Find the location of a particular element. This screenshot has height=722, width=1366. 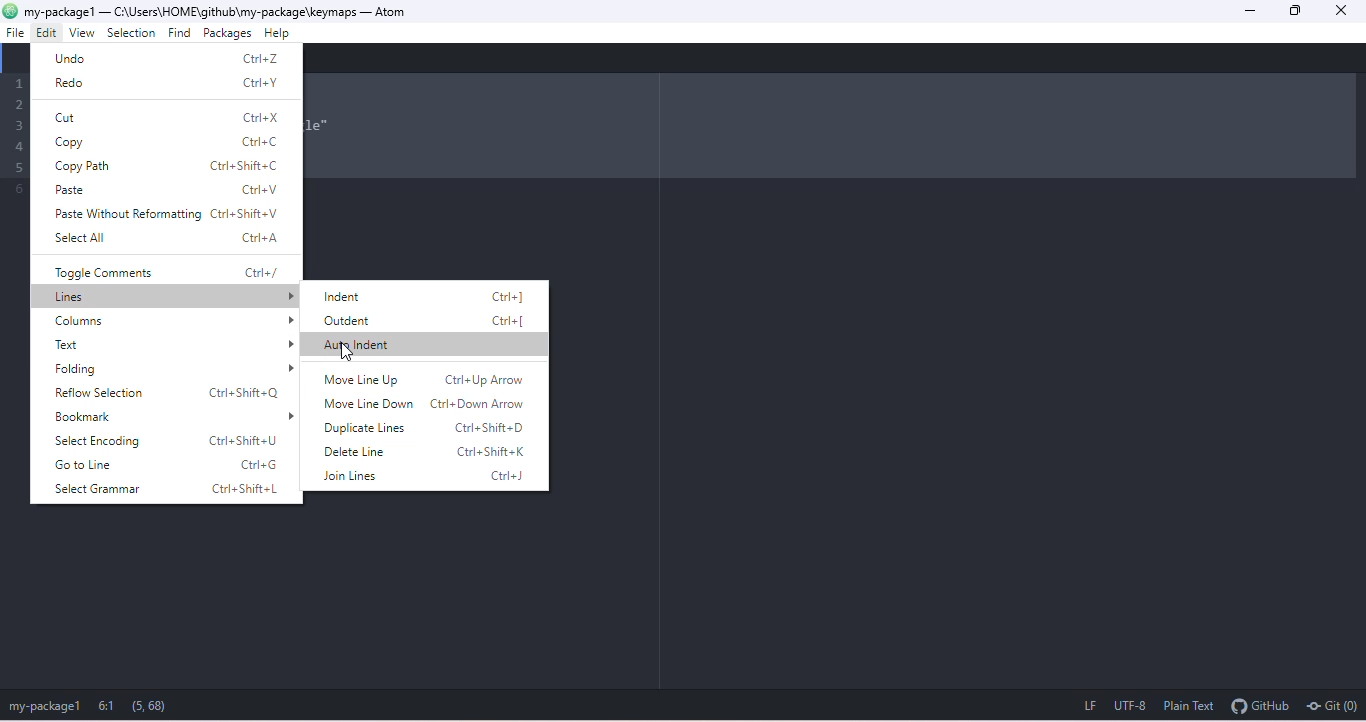

reflow selection is located at coordinates (175, 394).